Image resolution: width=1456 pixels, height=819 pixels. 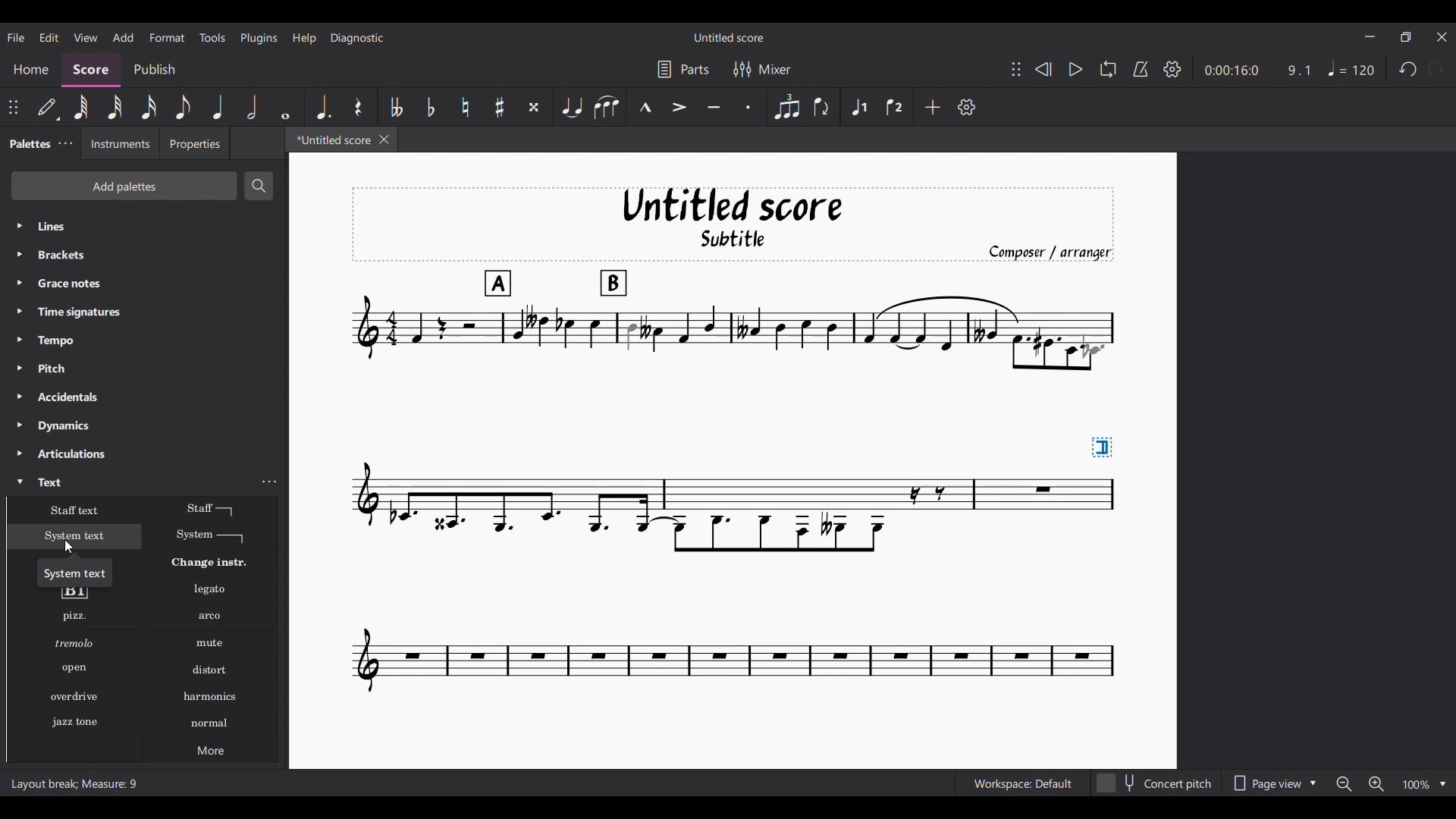 I want to click on Pitch, so click(x=144, y=368).